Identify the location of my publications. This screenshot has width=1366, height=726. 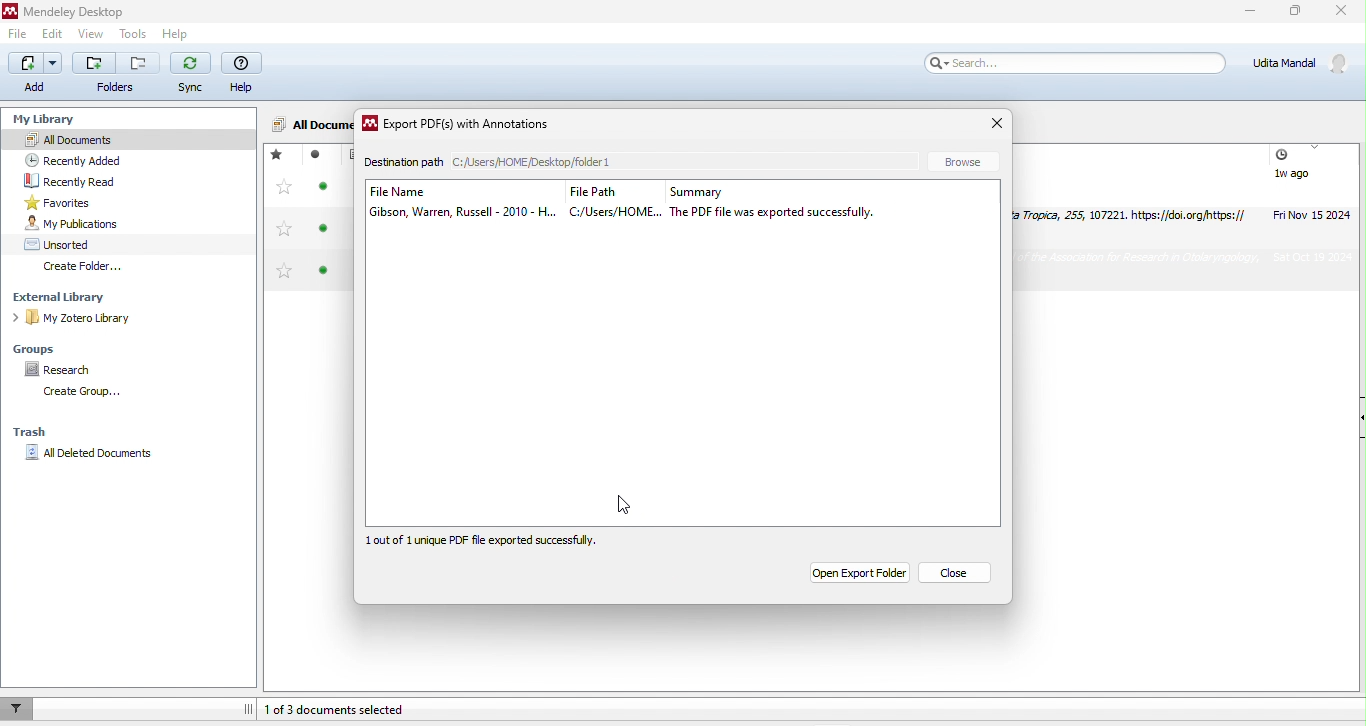
(88, 224).